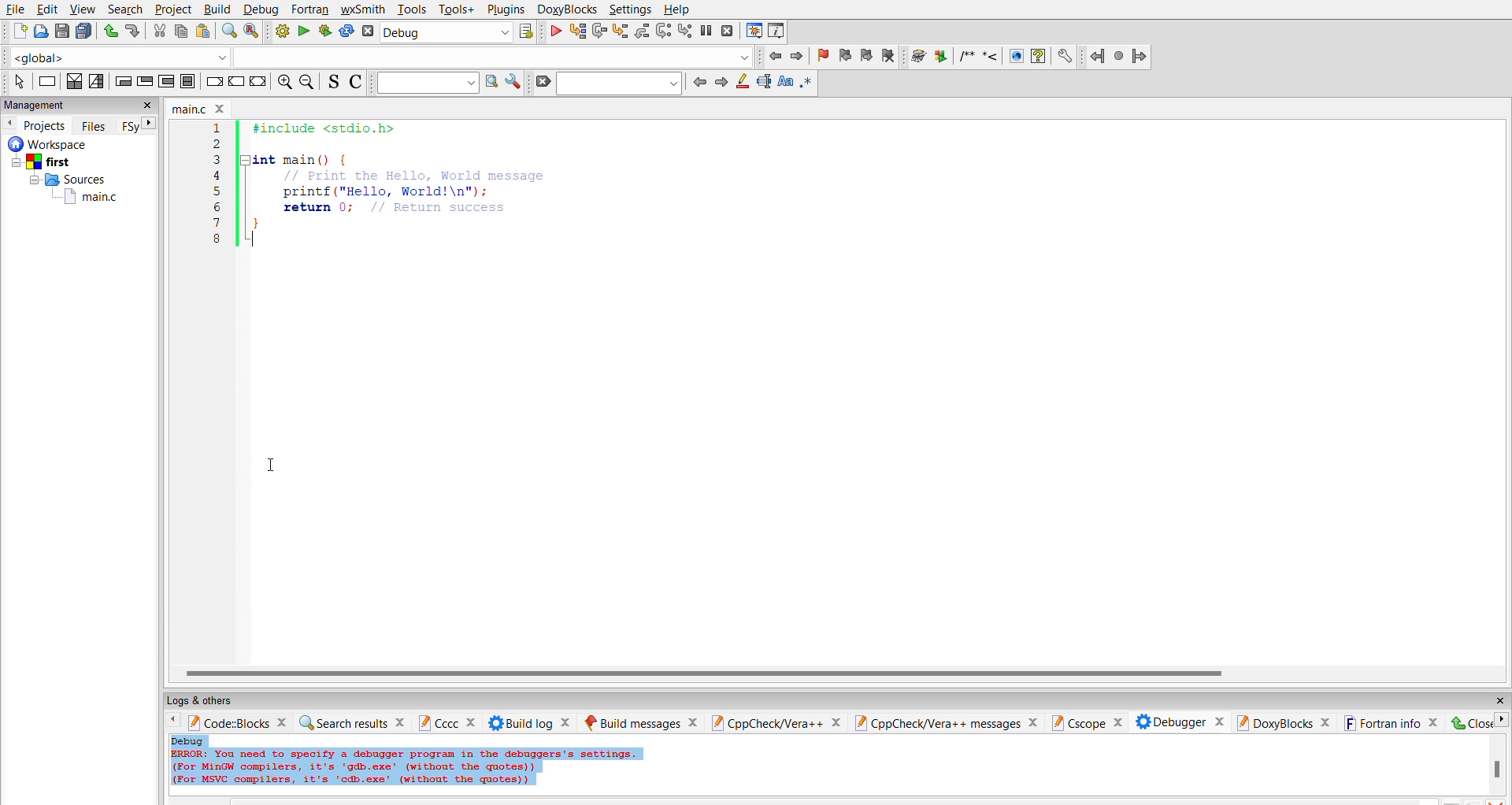  I want to click on new, so click(17, 32).